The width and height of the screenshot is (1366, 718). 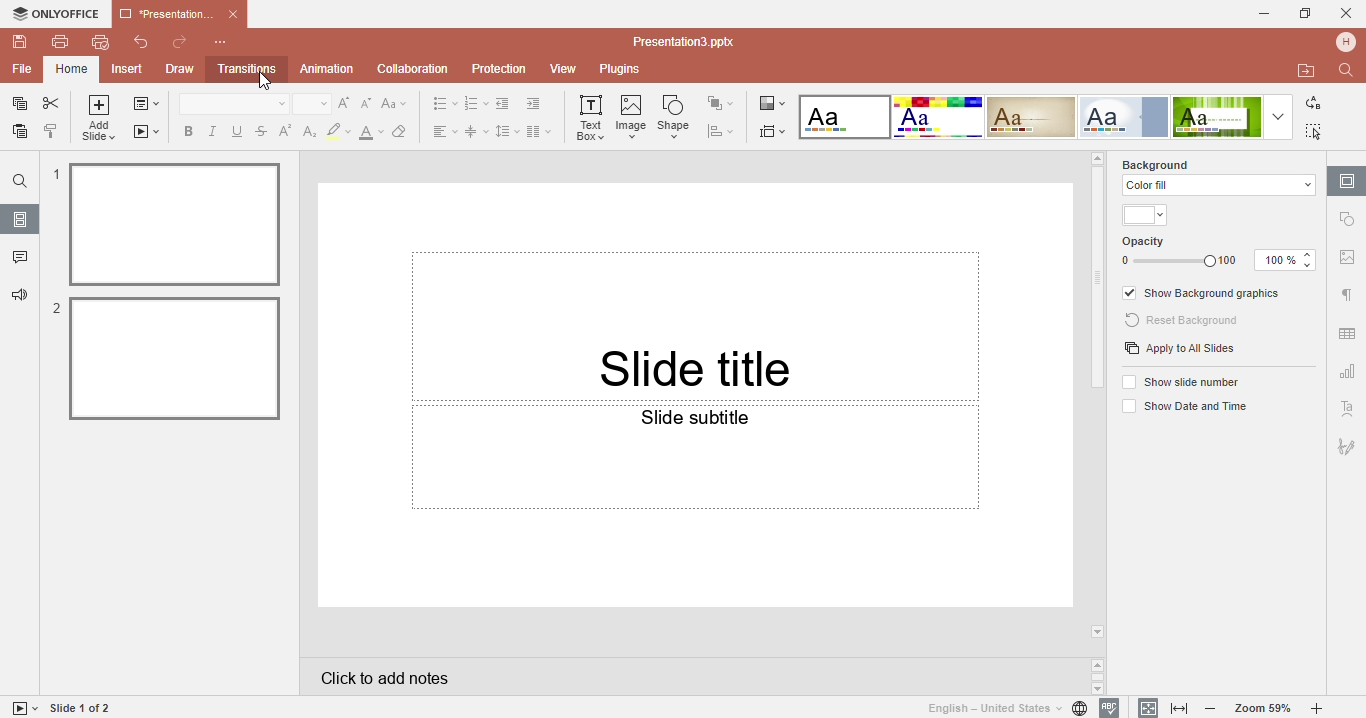 I want to click on Show date and time, so click(x=1182, y=408).